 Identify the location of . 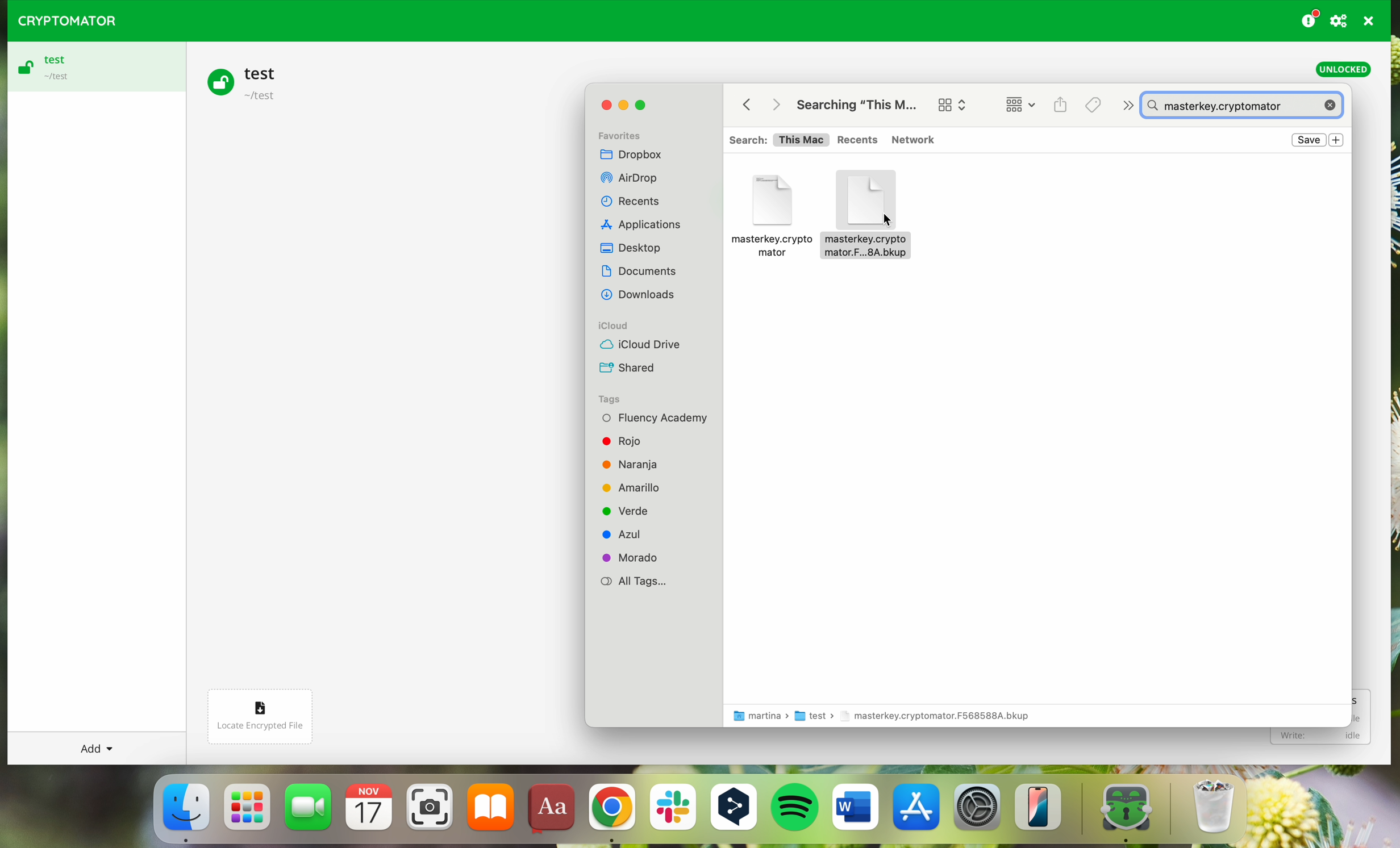
(648, 225).